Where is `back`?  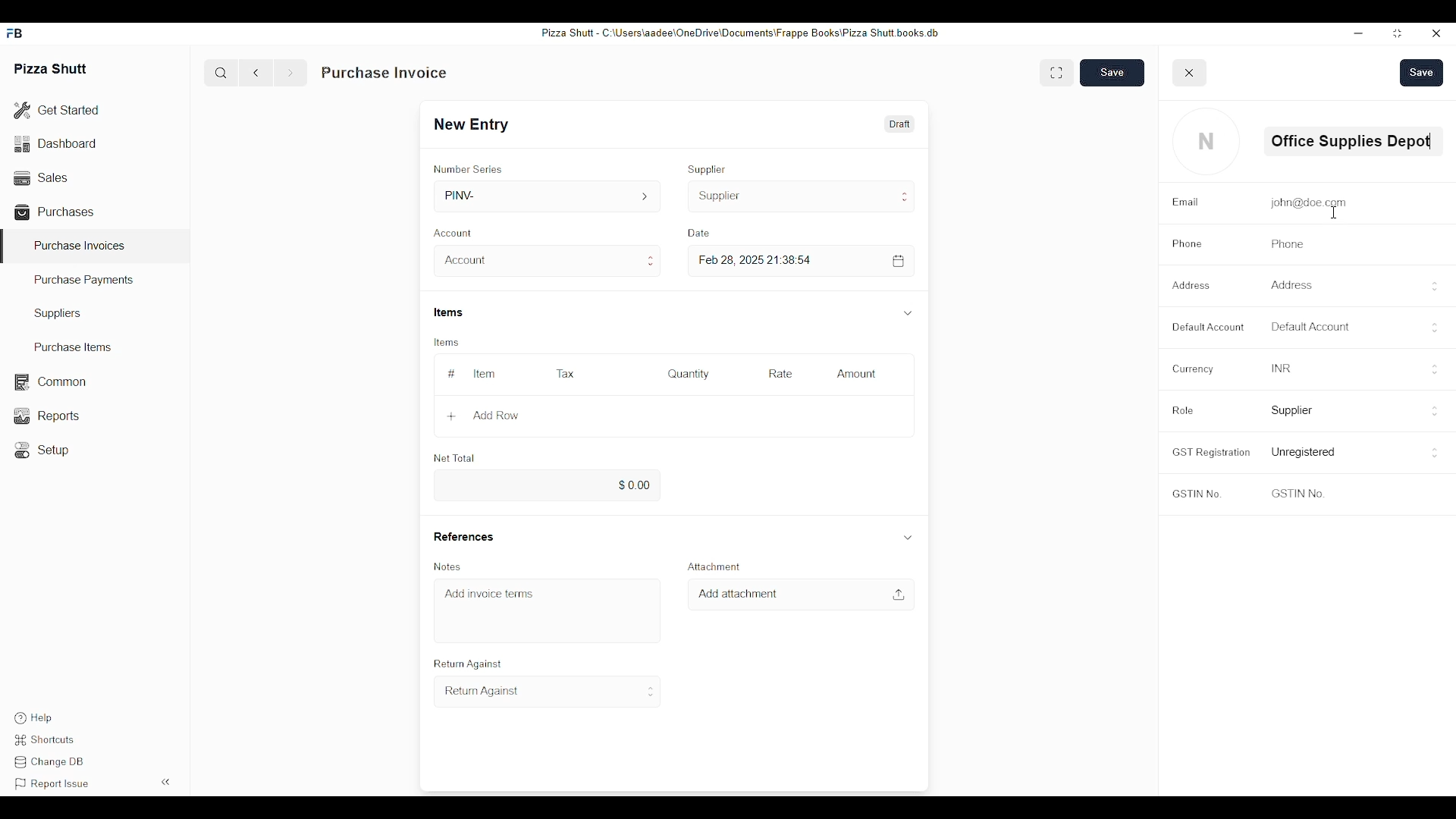 back is located at coordinates (259, 73).